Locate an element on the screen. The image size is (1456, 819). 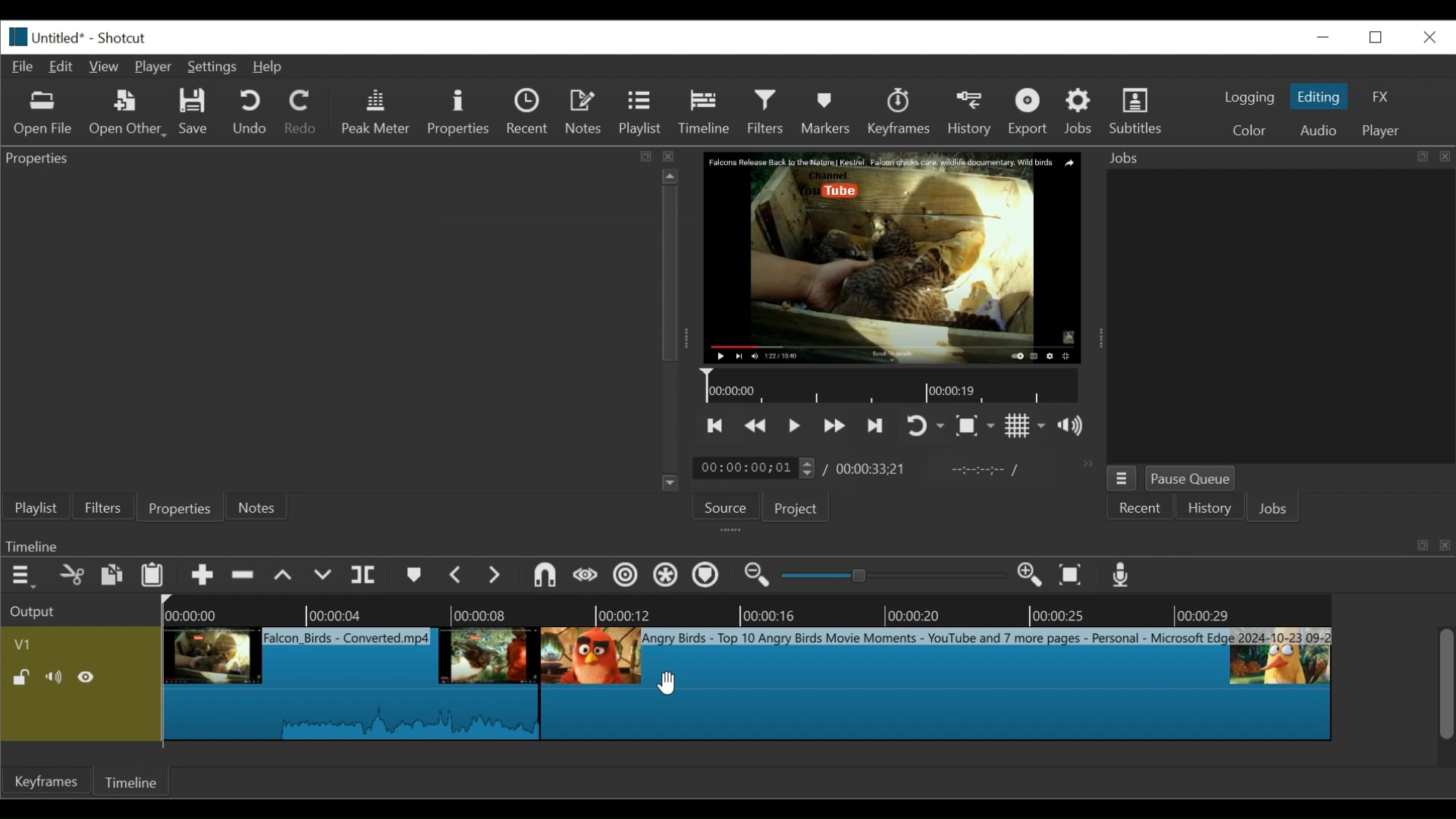
Playlist is located at coordinates (641, 113).